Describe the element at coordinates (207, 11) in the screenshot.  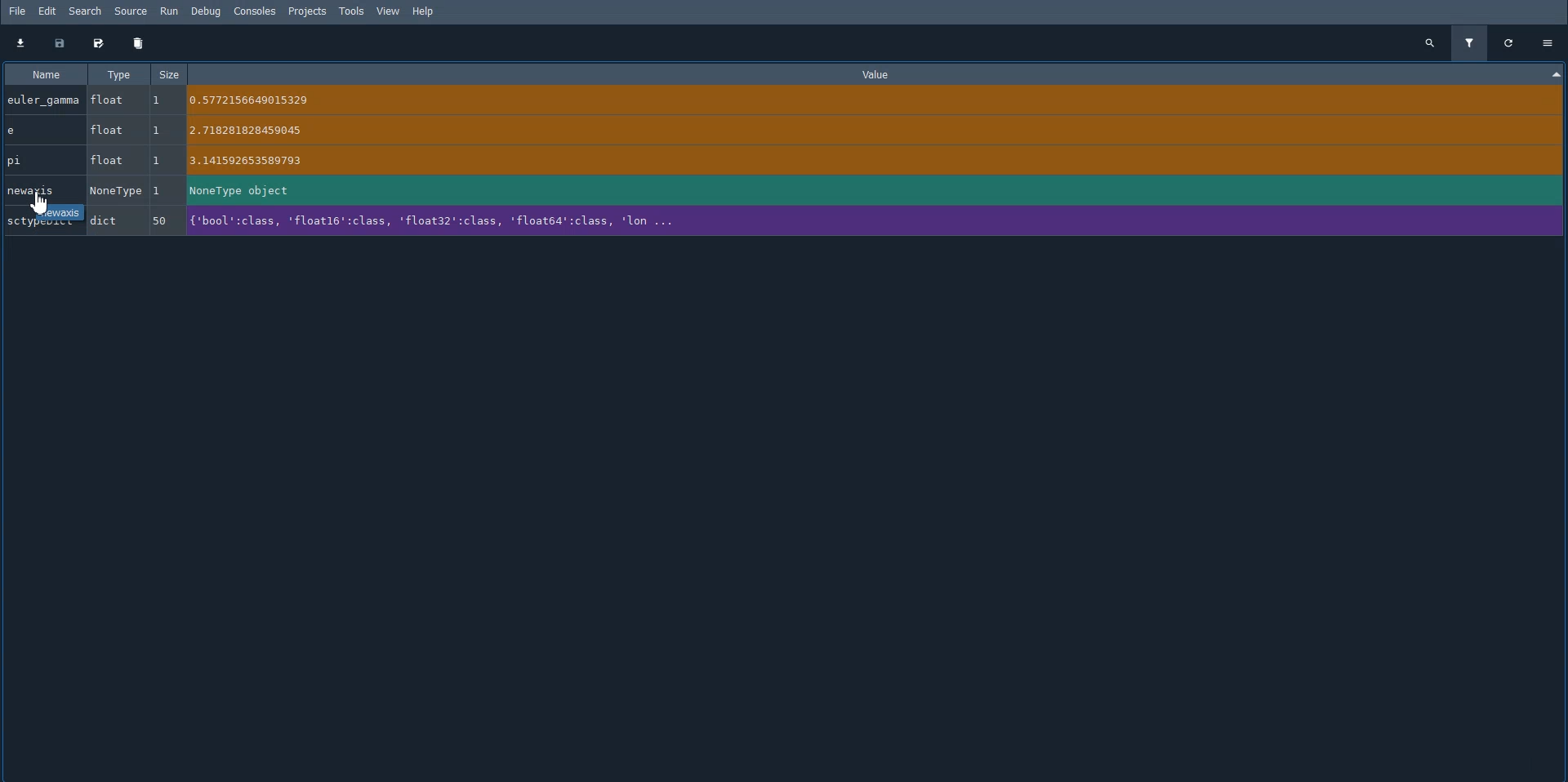
I see `Debug` at that location.